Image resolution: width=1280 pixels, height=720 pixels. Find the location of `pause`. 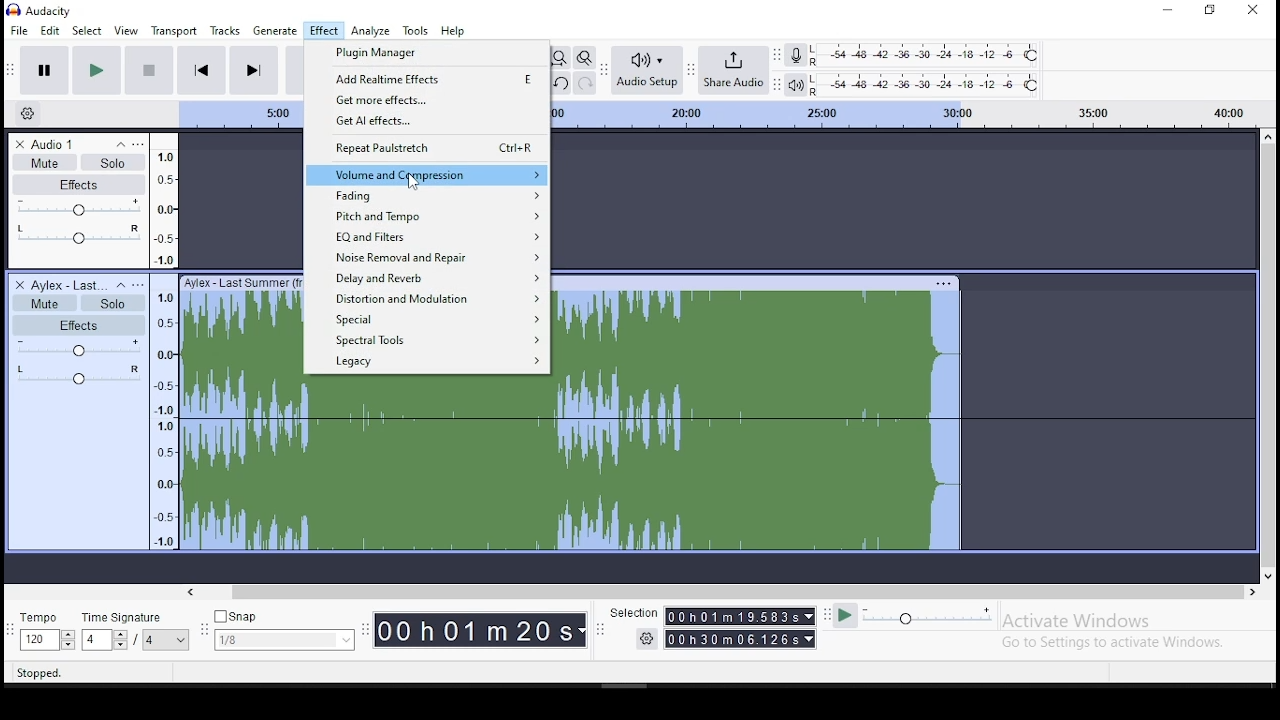

pause is located at coordinates (41, 71).